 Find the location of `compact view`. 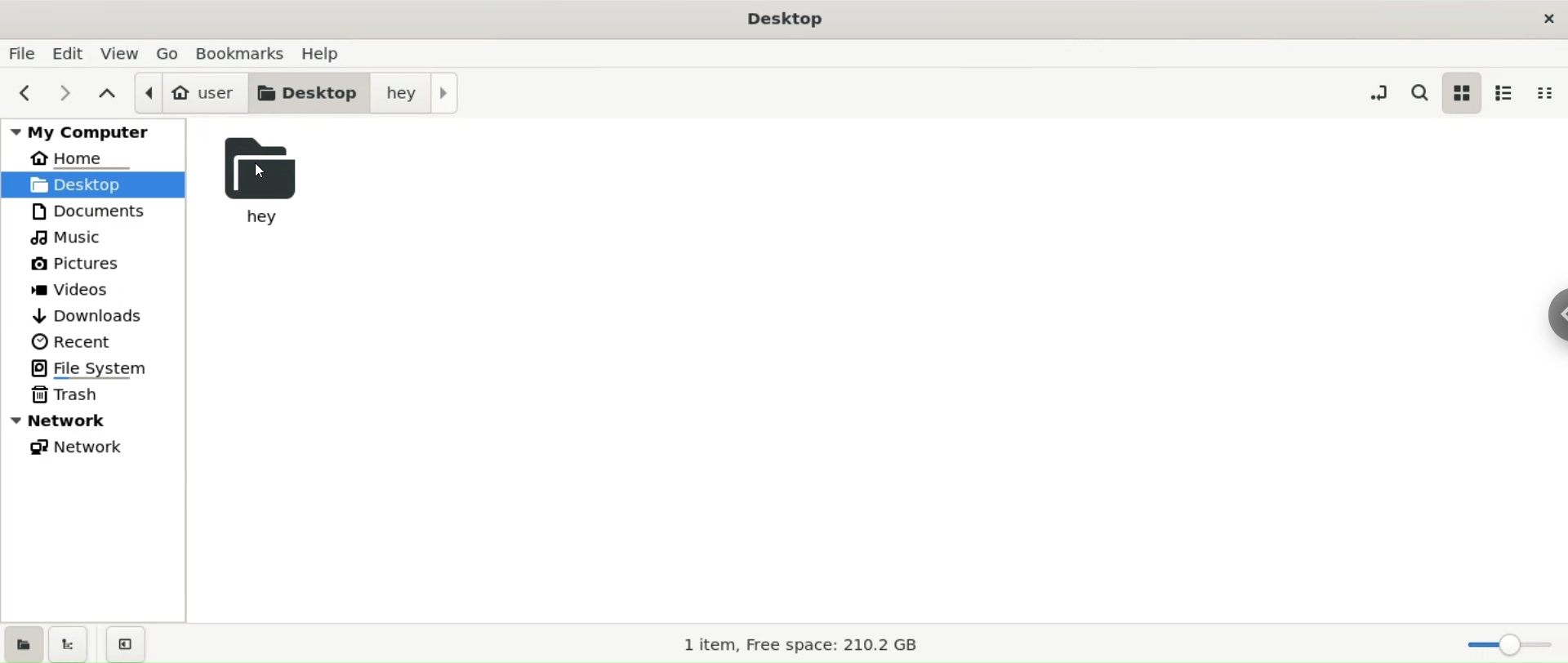

compact view is located at coordinates (1545, 96).